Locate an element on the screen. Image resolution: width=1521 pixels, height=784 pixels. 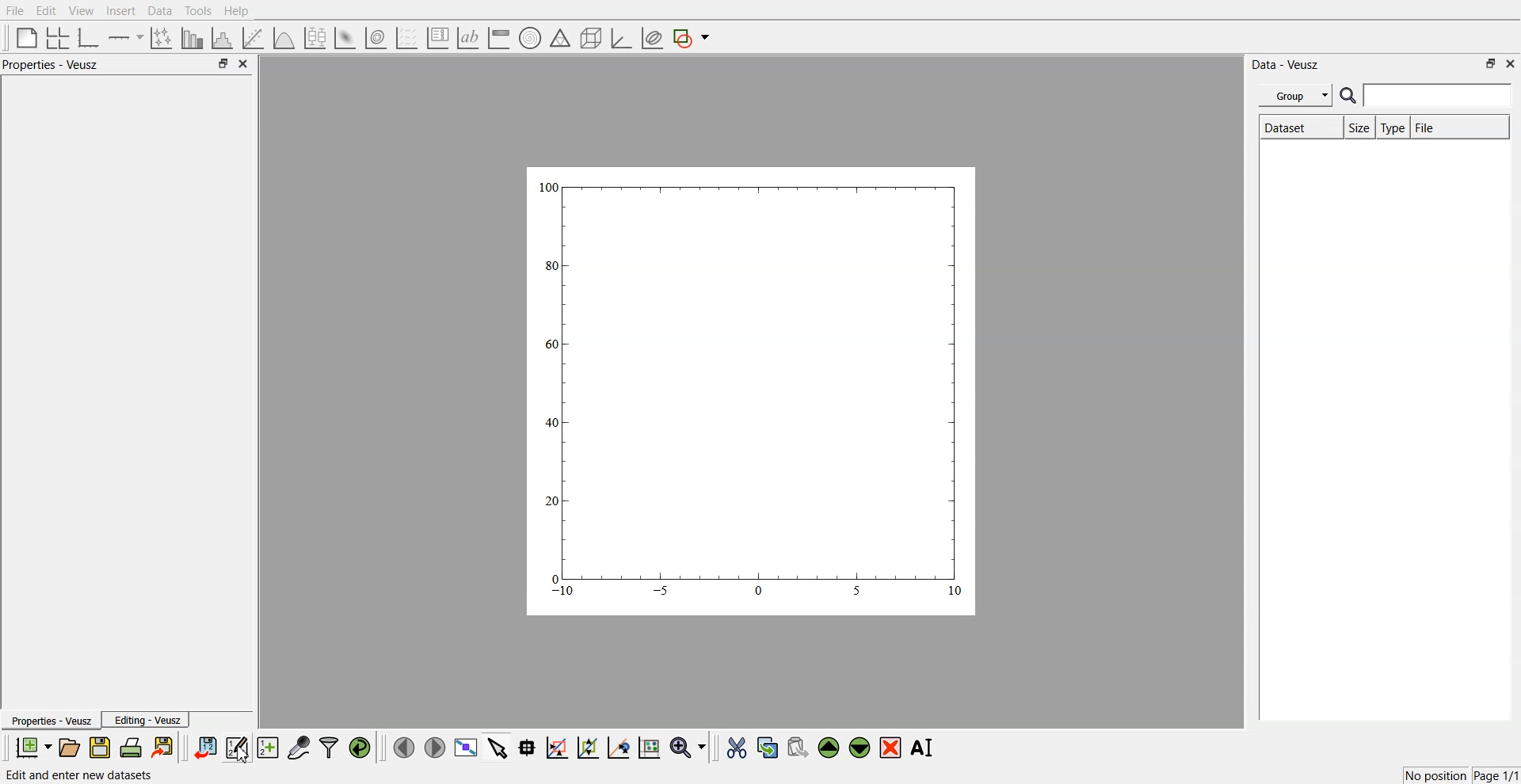
plot a boxplot is located at coordinates (314, 36).